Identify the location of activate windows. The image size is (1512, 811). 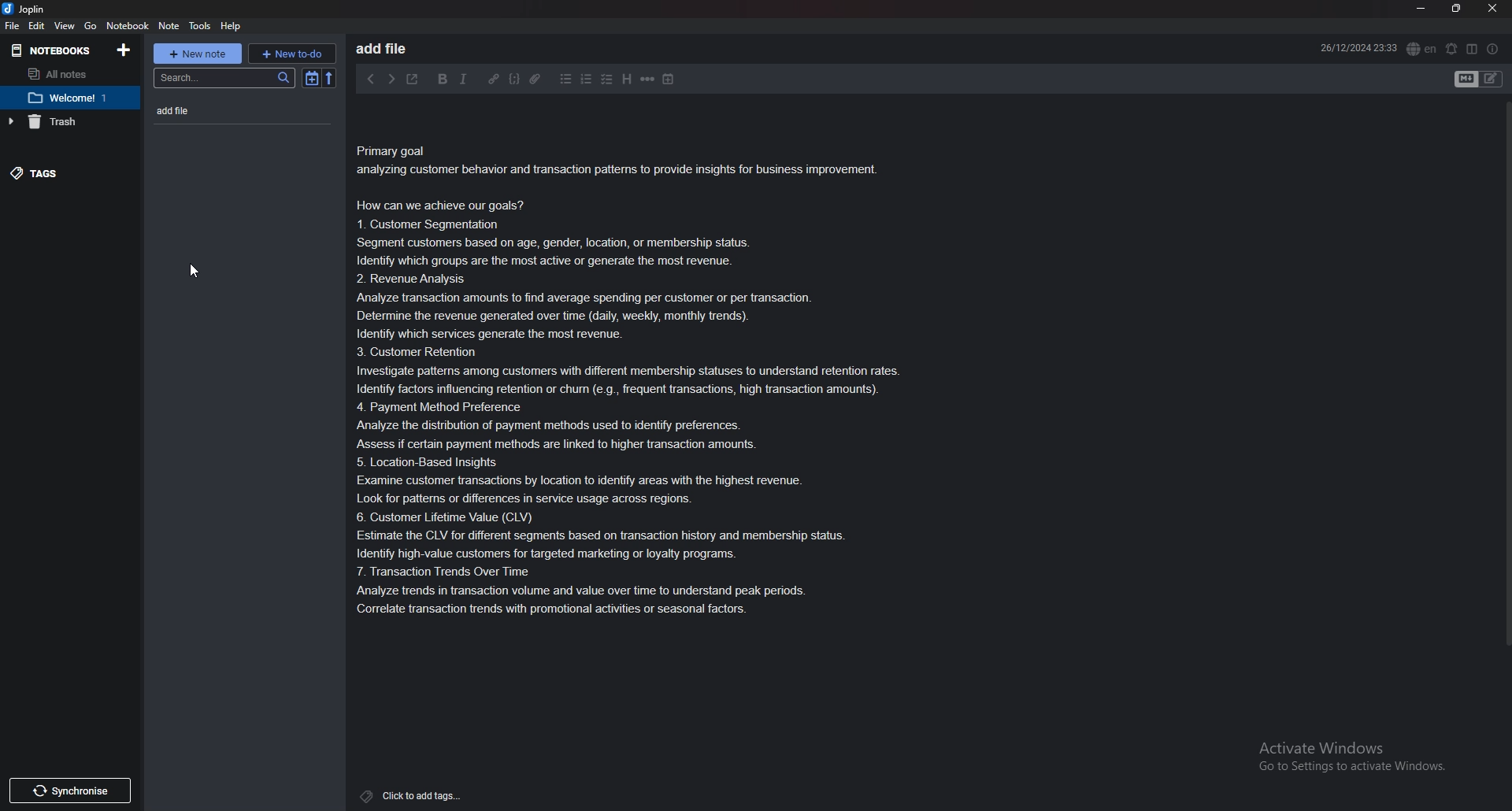
(1353, 757).